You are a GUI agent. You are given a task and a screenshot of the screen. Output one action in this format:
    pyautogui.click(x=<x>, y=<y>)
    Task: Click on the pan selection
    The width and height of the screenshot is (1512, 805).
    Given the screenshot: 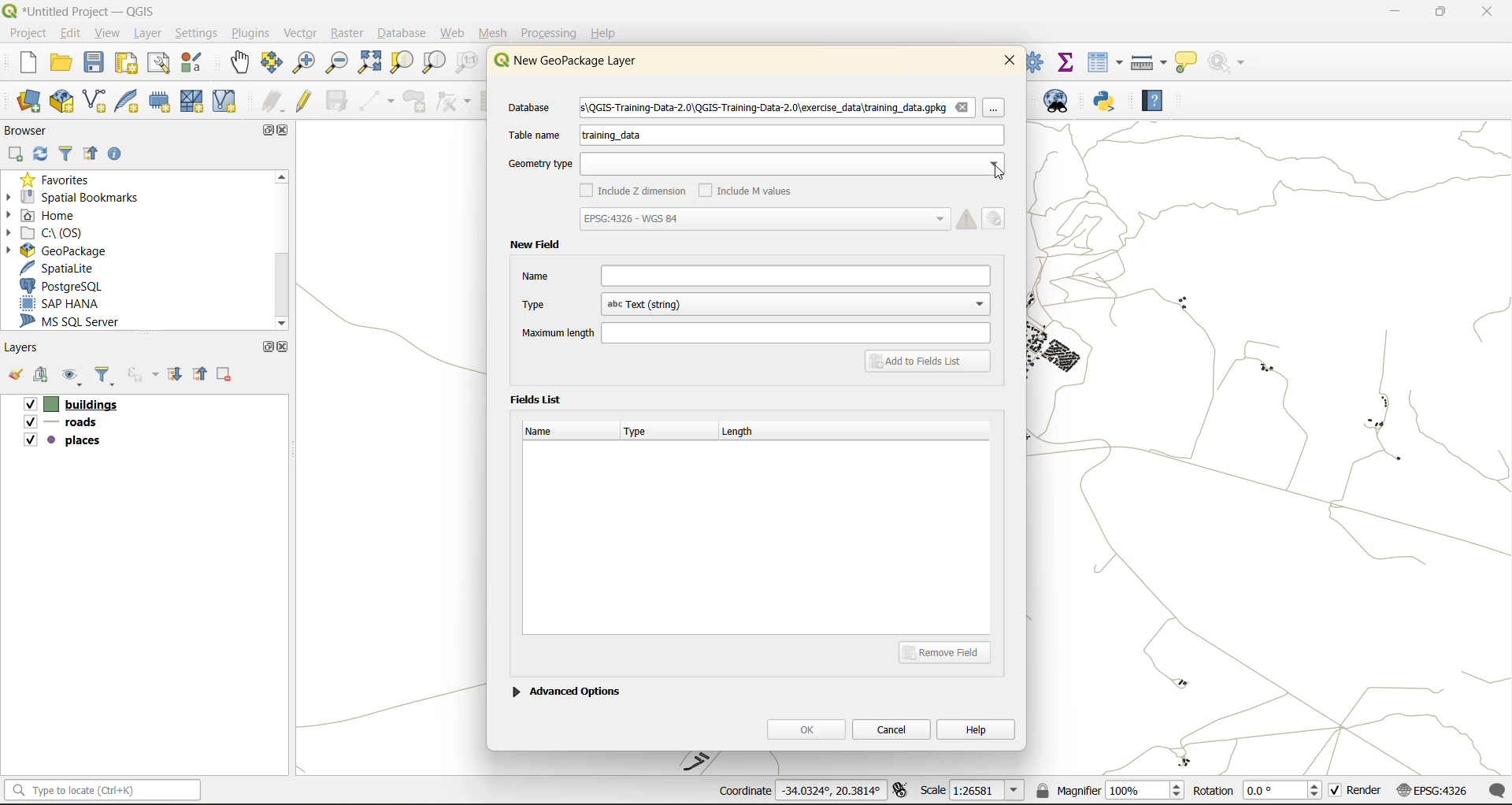 What is the action you would take?
    pyautogui.click(x=272, y=63)
    